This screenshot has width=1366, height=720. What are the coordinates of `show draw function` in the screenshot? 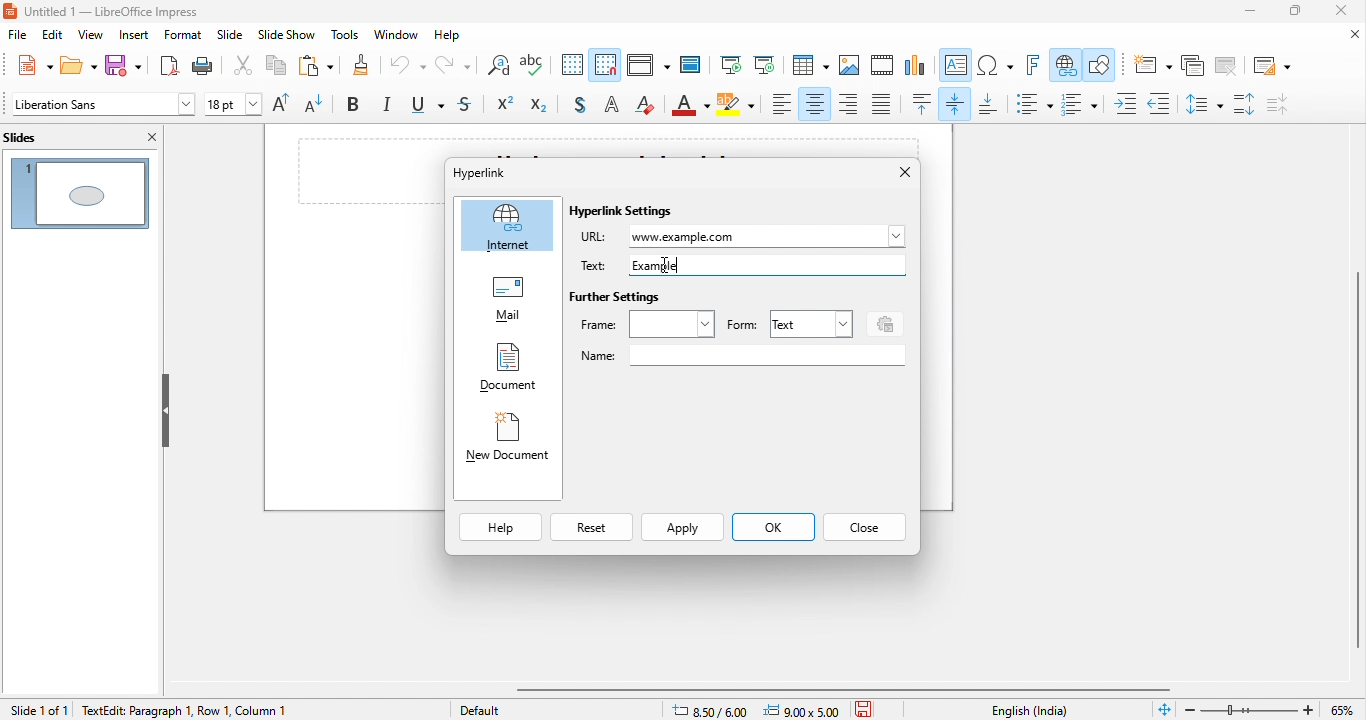 It's located at (1101, 67).